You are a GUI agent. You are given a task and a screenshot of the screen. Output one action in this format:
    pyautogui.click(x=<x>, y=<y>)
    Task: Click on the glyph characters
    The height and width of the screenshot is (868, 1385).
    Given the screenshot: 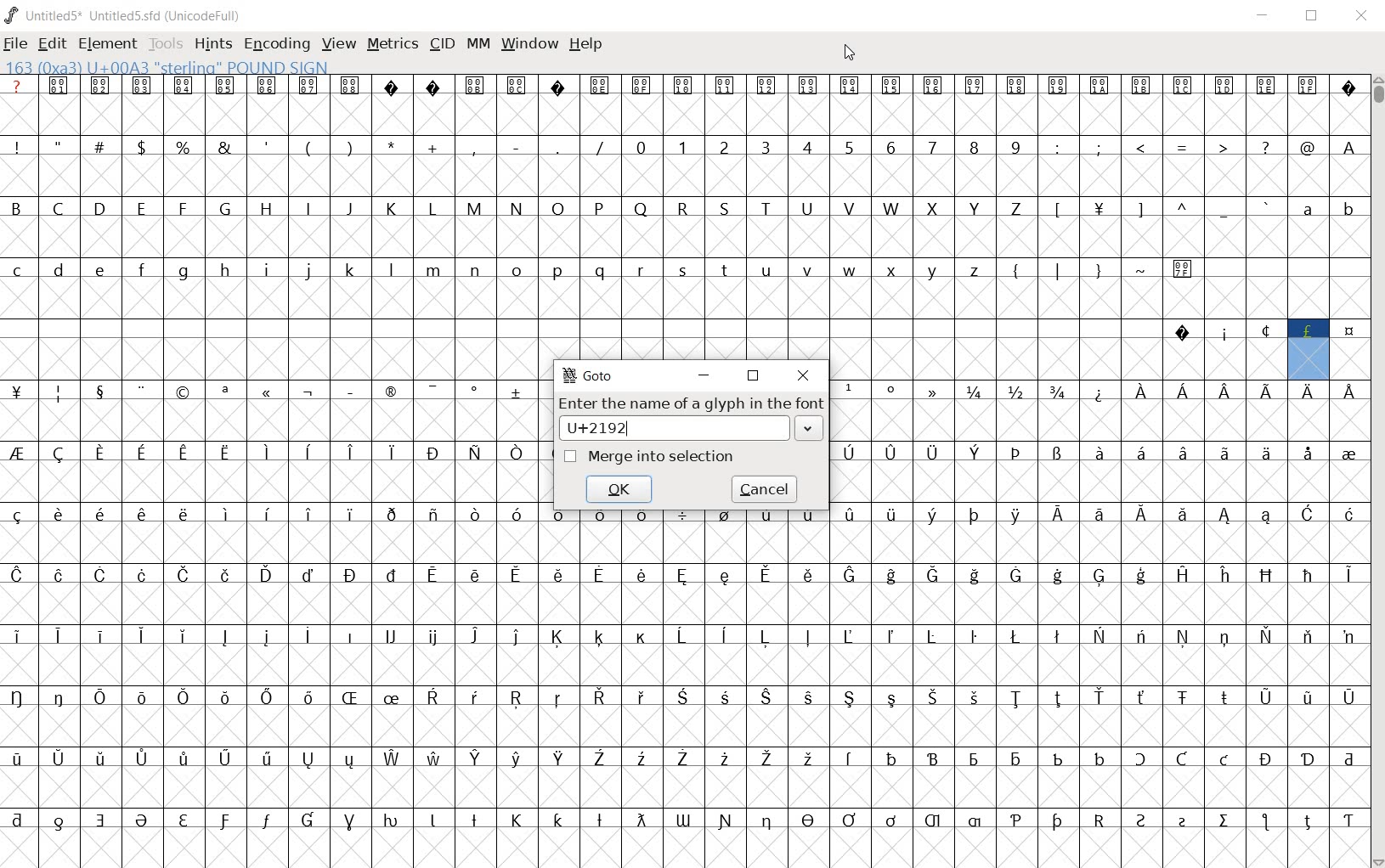 What is the action you would take?
    pyautogui.click(x=1098, y=440)
    